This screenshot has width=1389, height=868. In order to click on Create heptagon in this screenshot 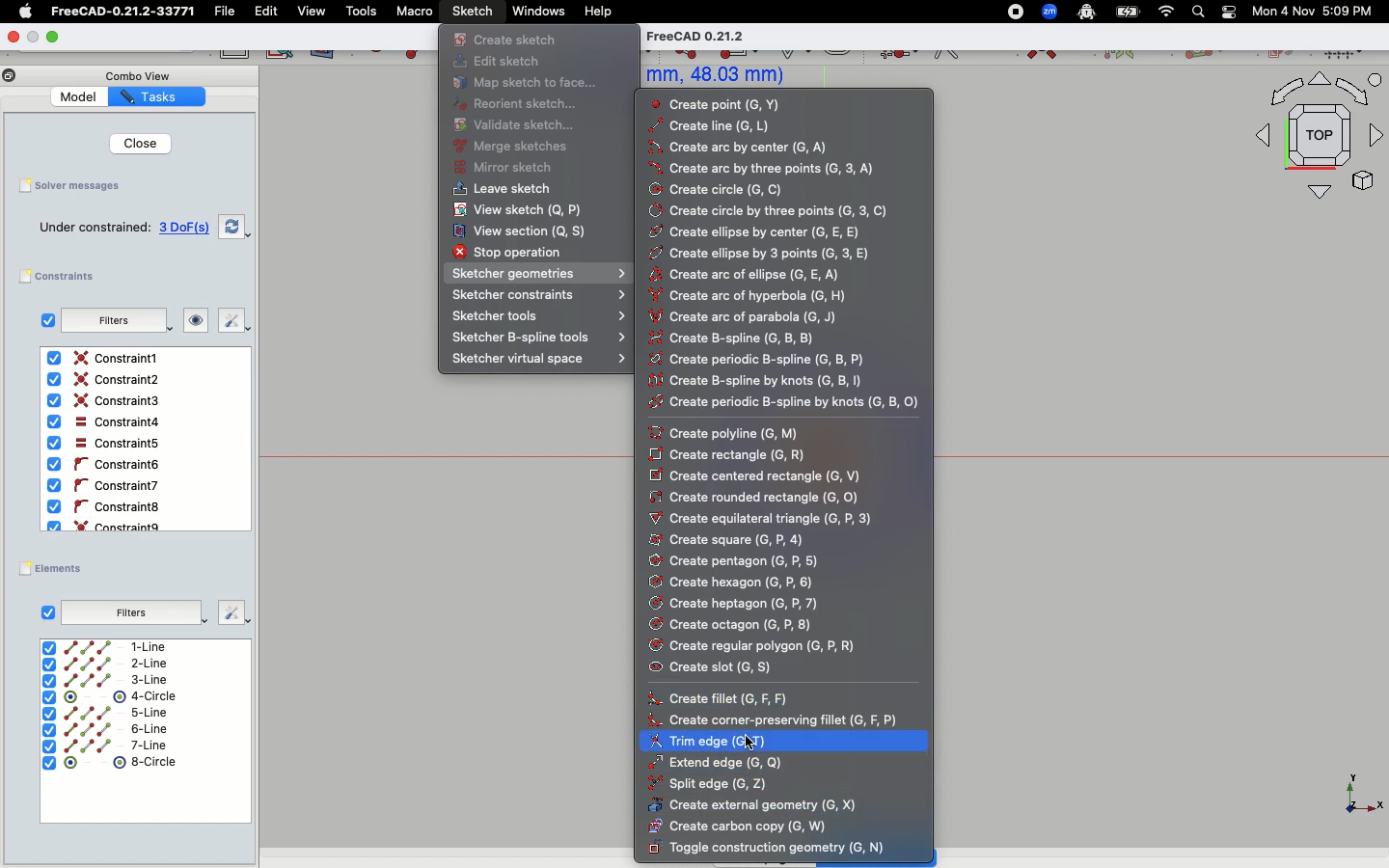, I will do `click(737, 604)`.